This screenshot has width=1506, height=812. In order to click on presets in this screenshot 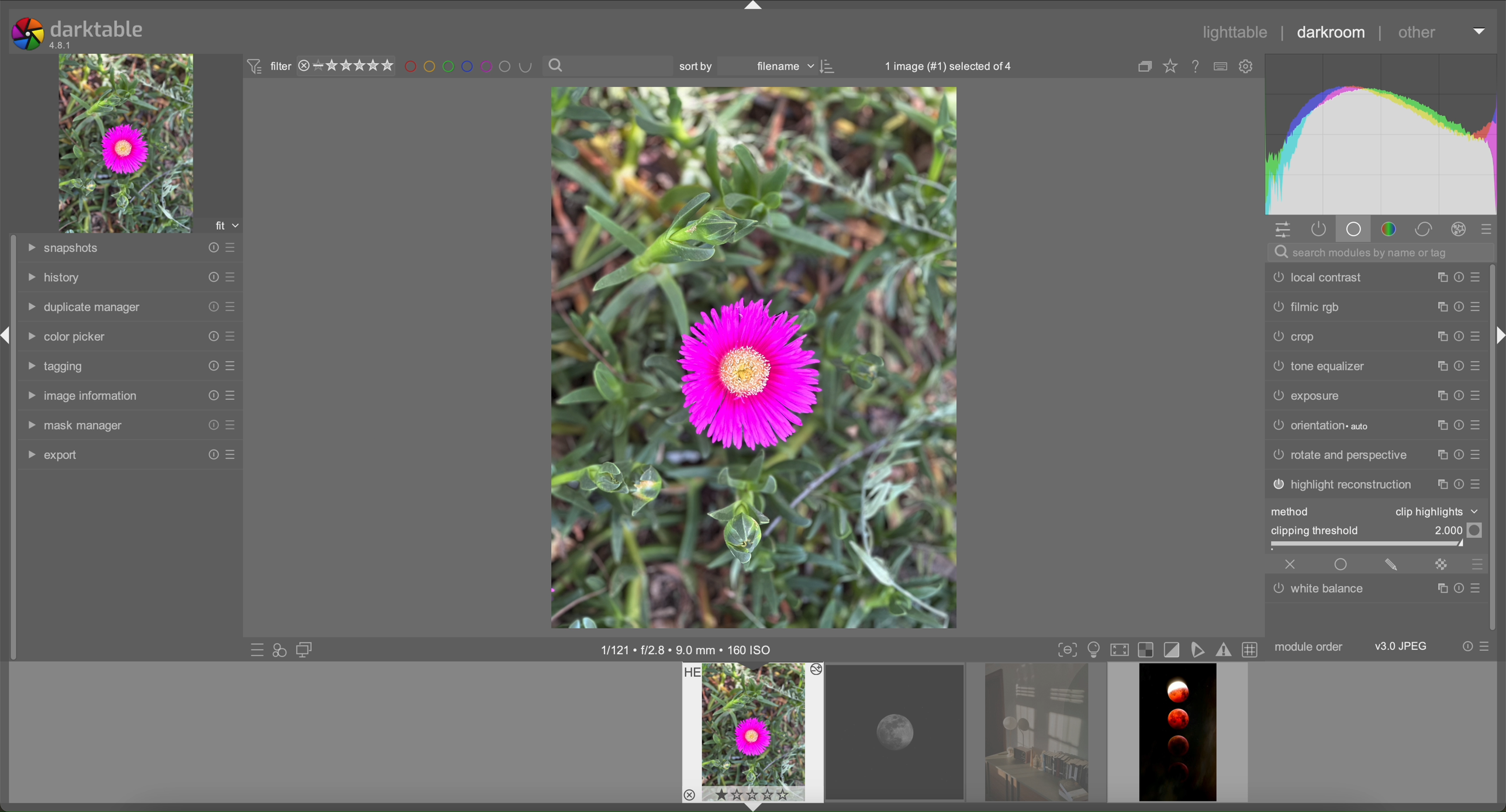, I will do `click(234, 278)`.